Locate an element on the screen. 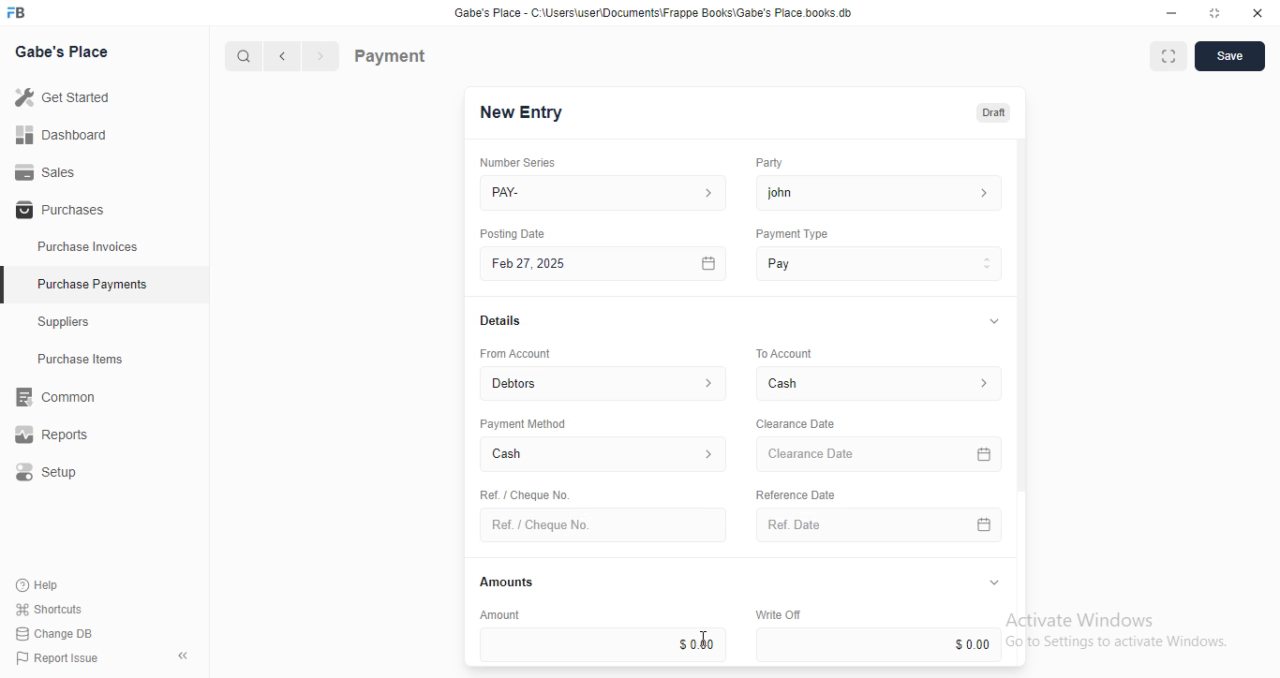 The image size is (1280, 678). close is located at coordinates (1258, 13).